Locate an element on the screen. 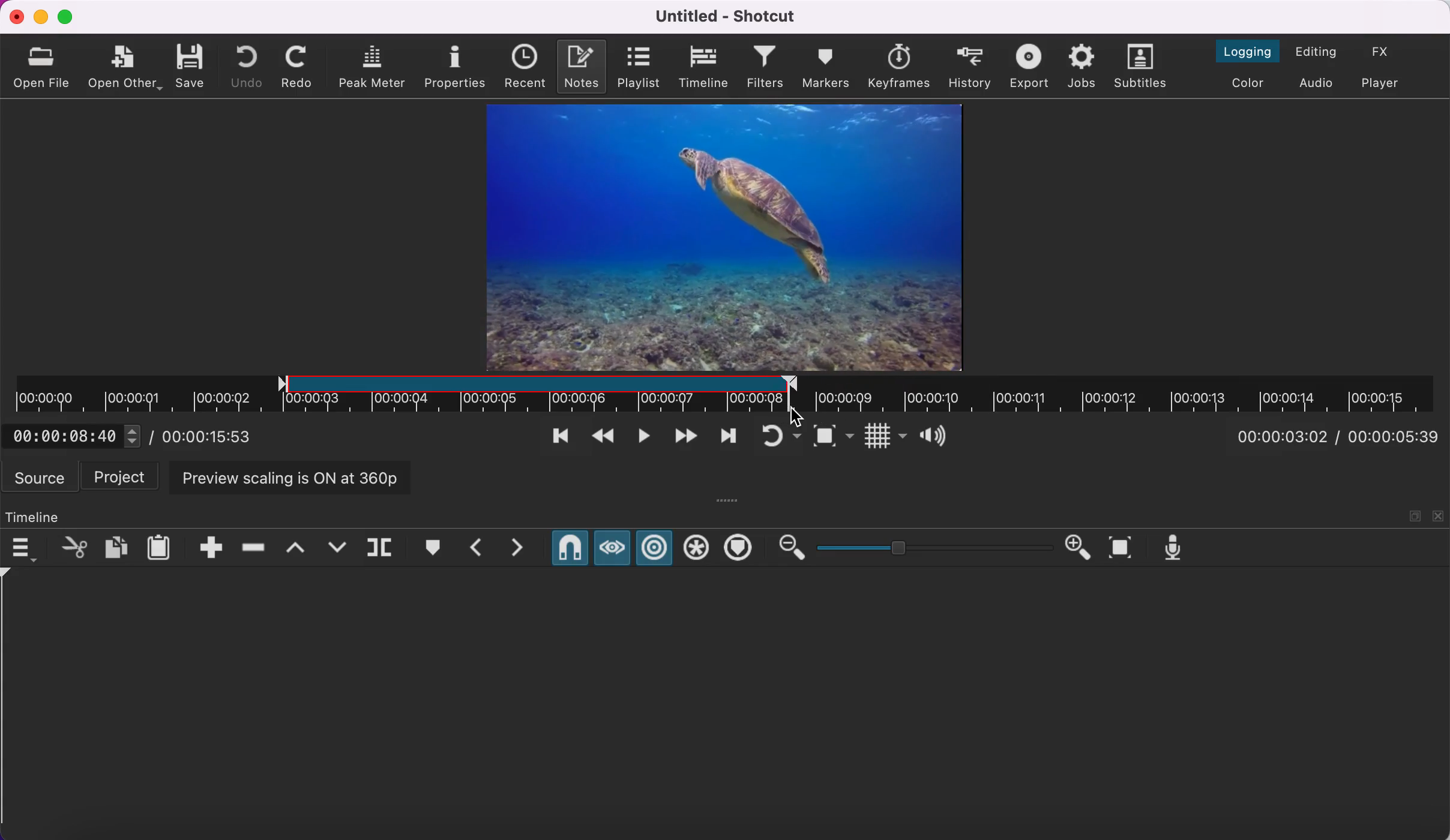  undo is located at coordinates (249, 65).